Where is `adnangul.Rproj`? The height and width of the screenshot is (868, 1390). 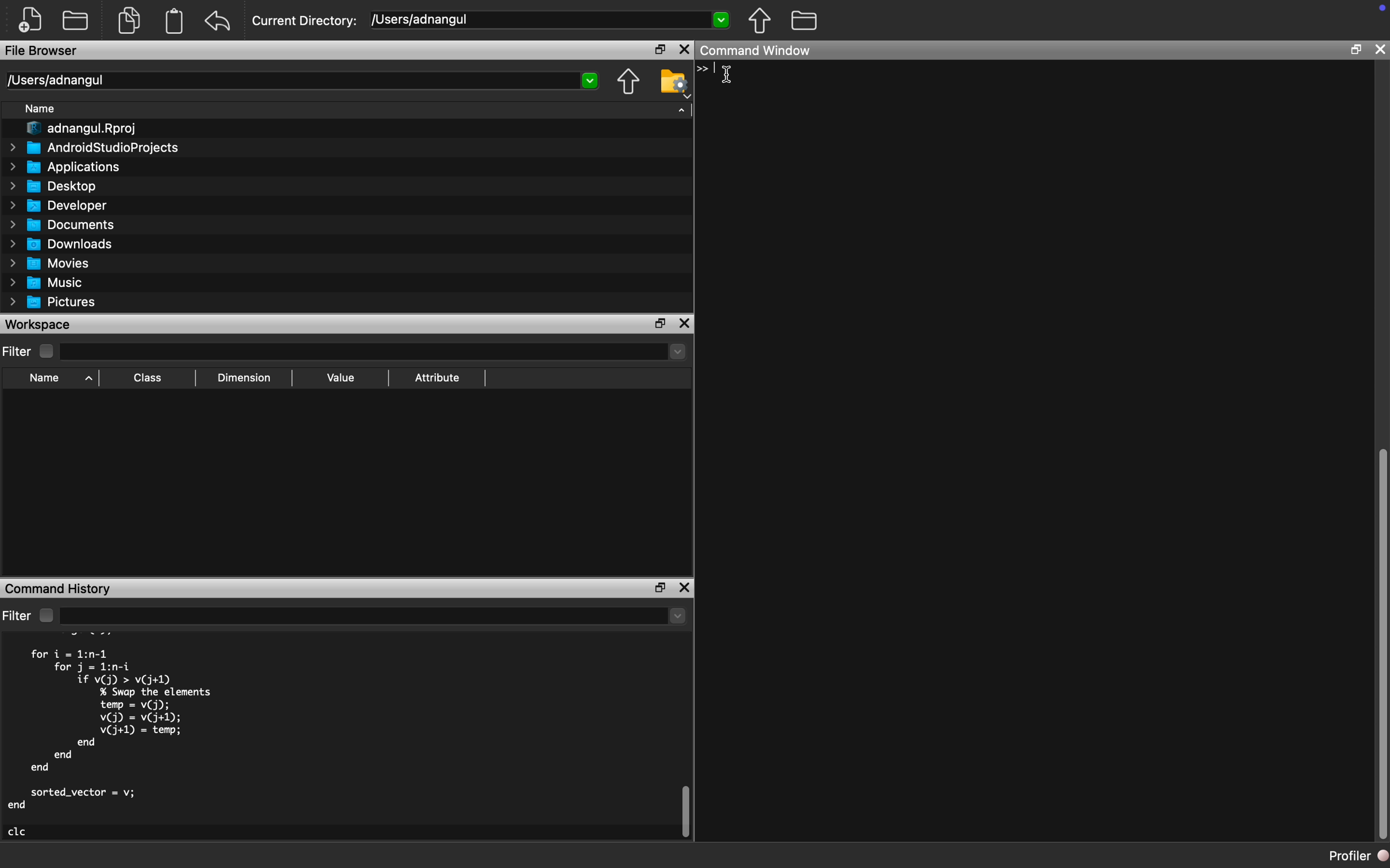
adnangul.Rproj is located at coordinates (82, 129).